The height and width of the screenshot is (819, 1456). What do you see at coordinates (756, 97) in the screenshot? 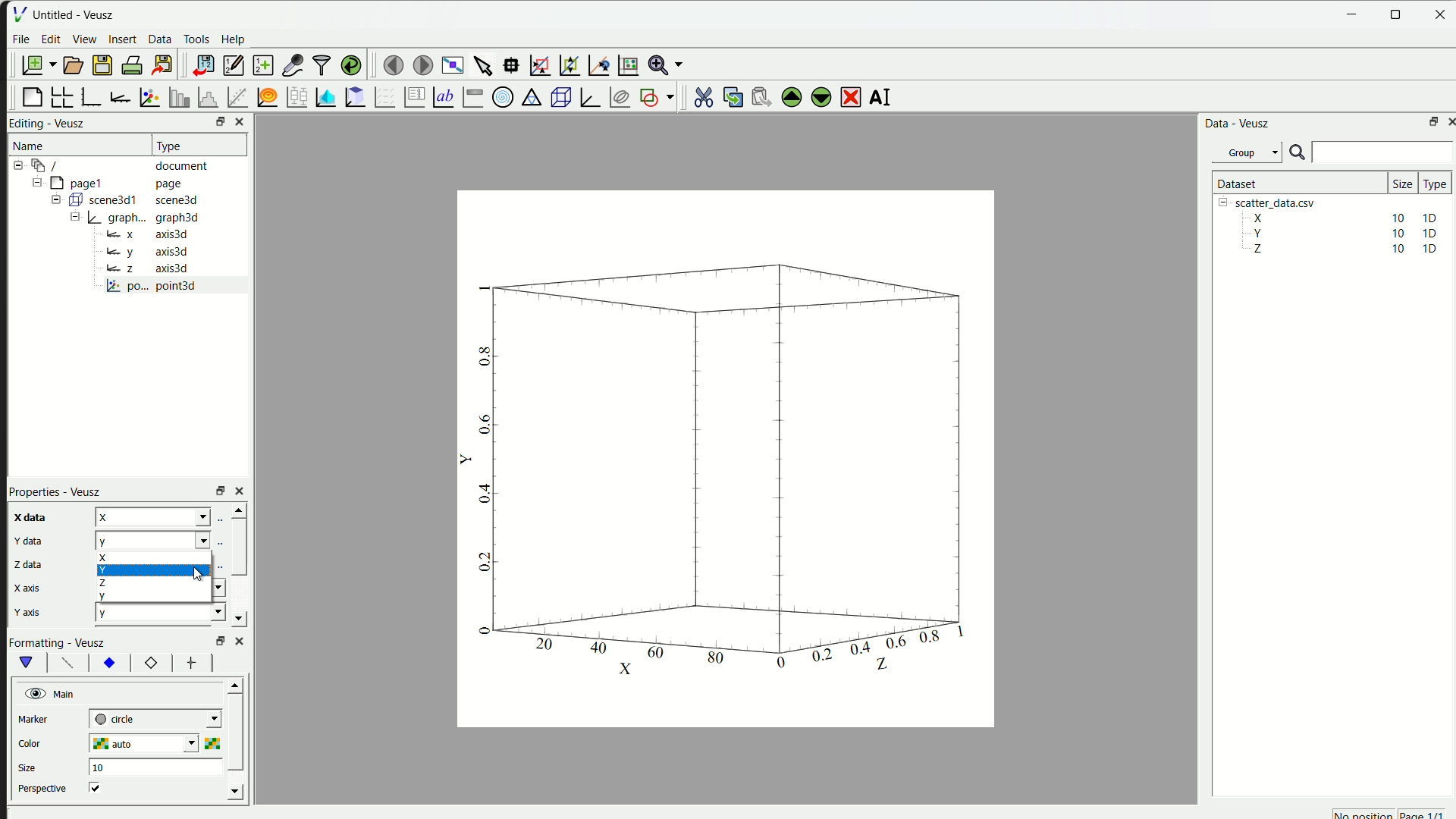
I see `paste the widget from the clipboard` at bounding box center [756, 97].